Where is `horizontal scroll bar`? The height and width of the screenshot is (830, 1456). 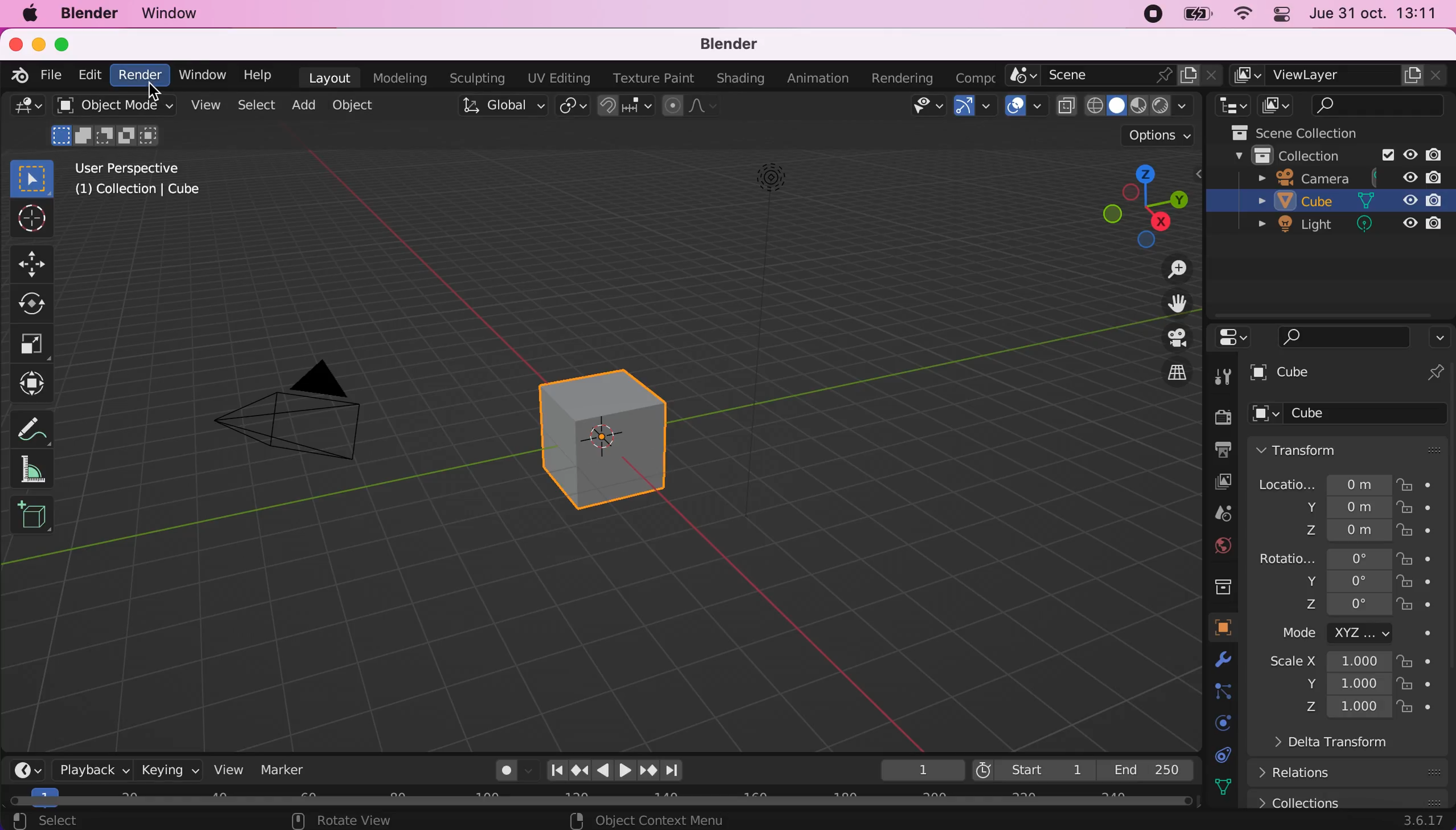 horizontal scroll bar is located at coordinates (607, 798).